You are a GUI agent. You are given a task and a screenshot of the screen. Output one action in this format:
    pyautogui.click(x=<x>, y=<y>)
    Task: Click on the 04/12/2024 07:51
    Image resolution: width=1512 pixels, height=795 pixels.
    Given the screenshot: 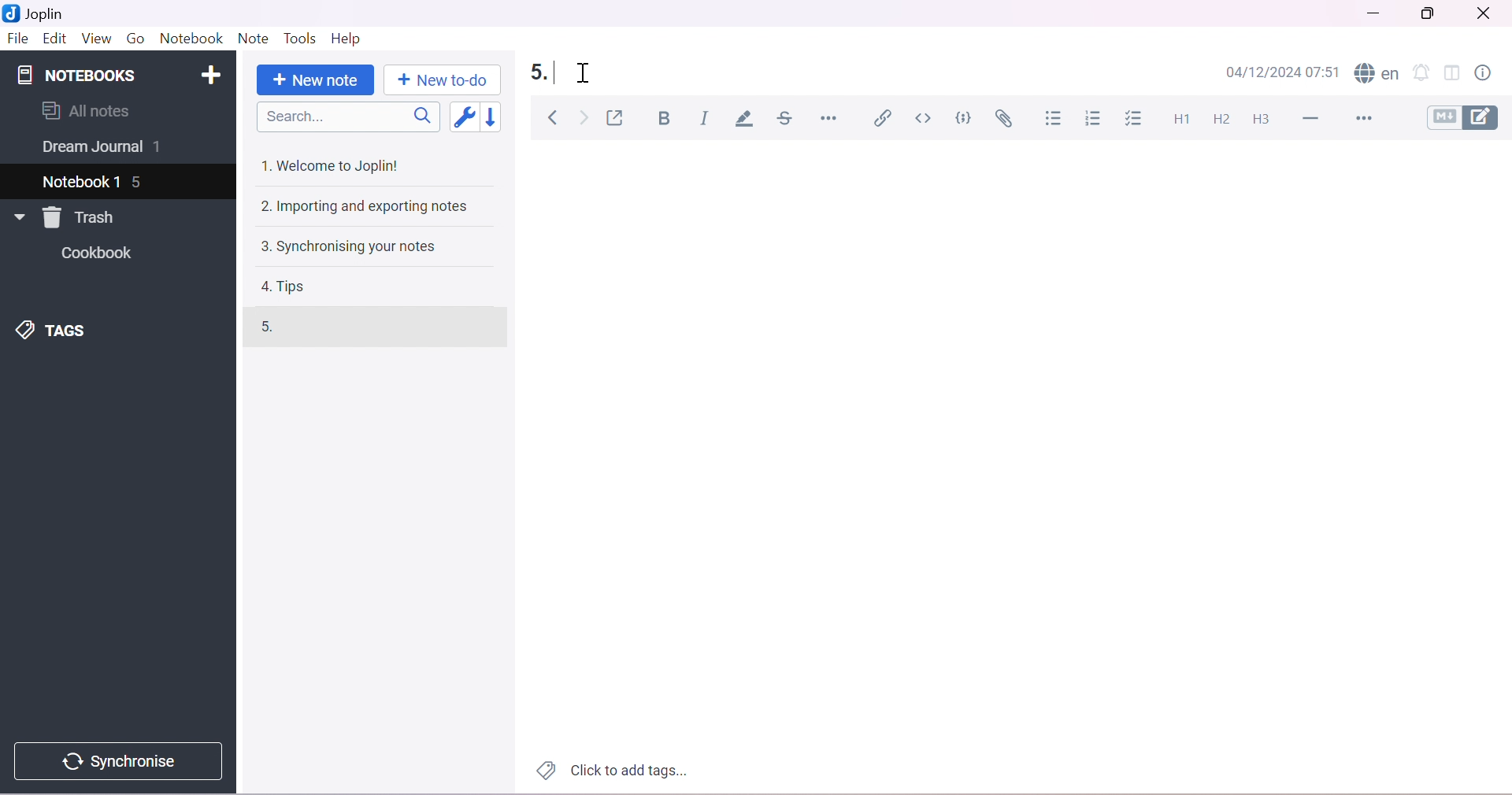 What is the action you would take?
    pyautogui.click(x=1287, y=72)
    